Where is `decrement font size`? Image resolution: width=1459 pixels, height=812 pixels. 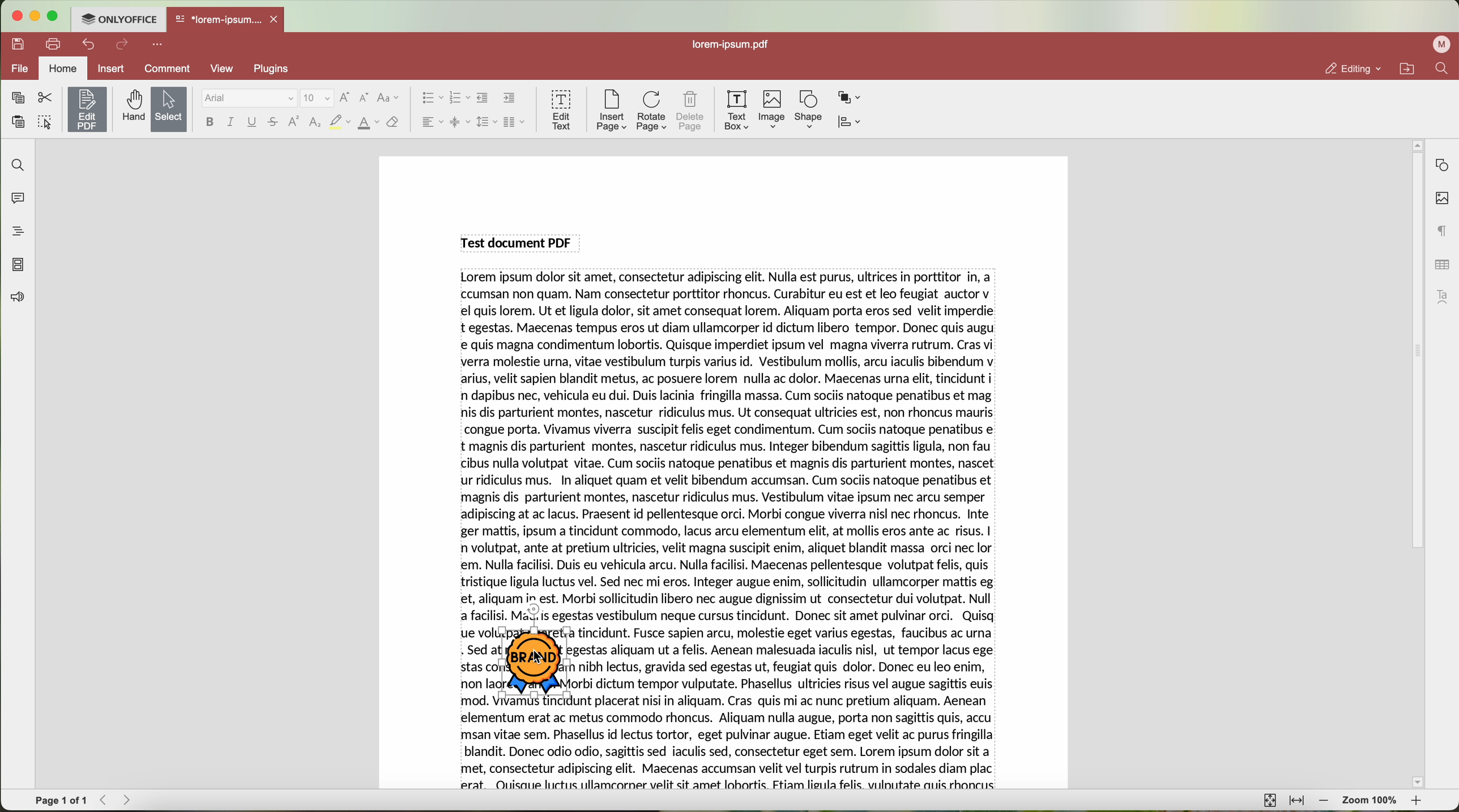
decrement font size is located at coordinates (364, 99).